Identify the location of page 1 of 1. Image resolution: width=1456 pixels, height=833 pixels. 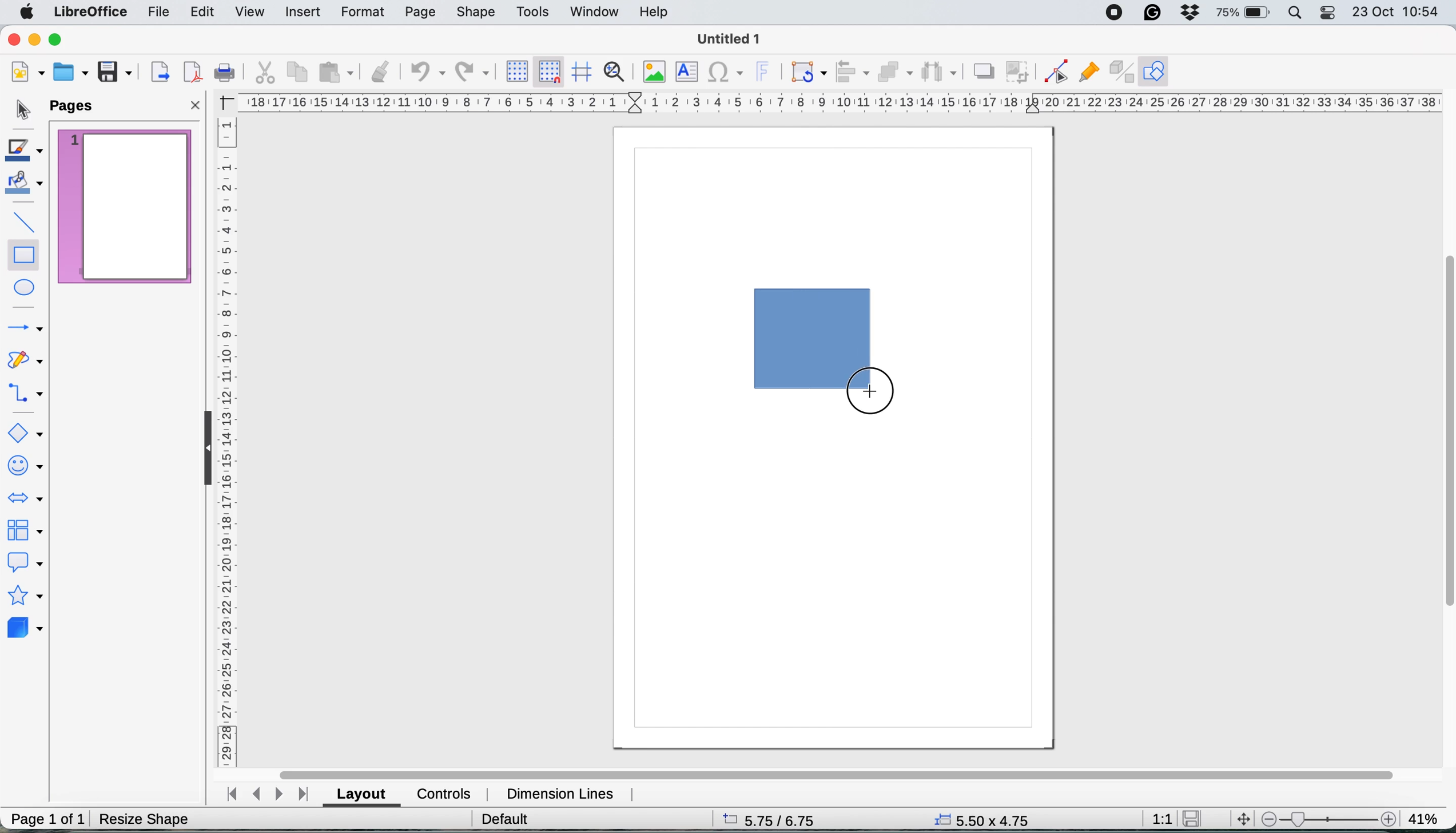
(47, 819).